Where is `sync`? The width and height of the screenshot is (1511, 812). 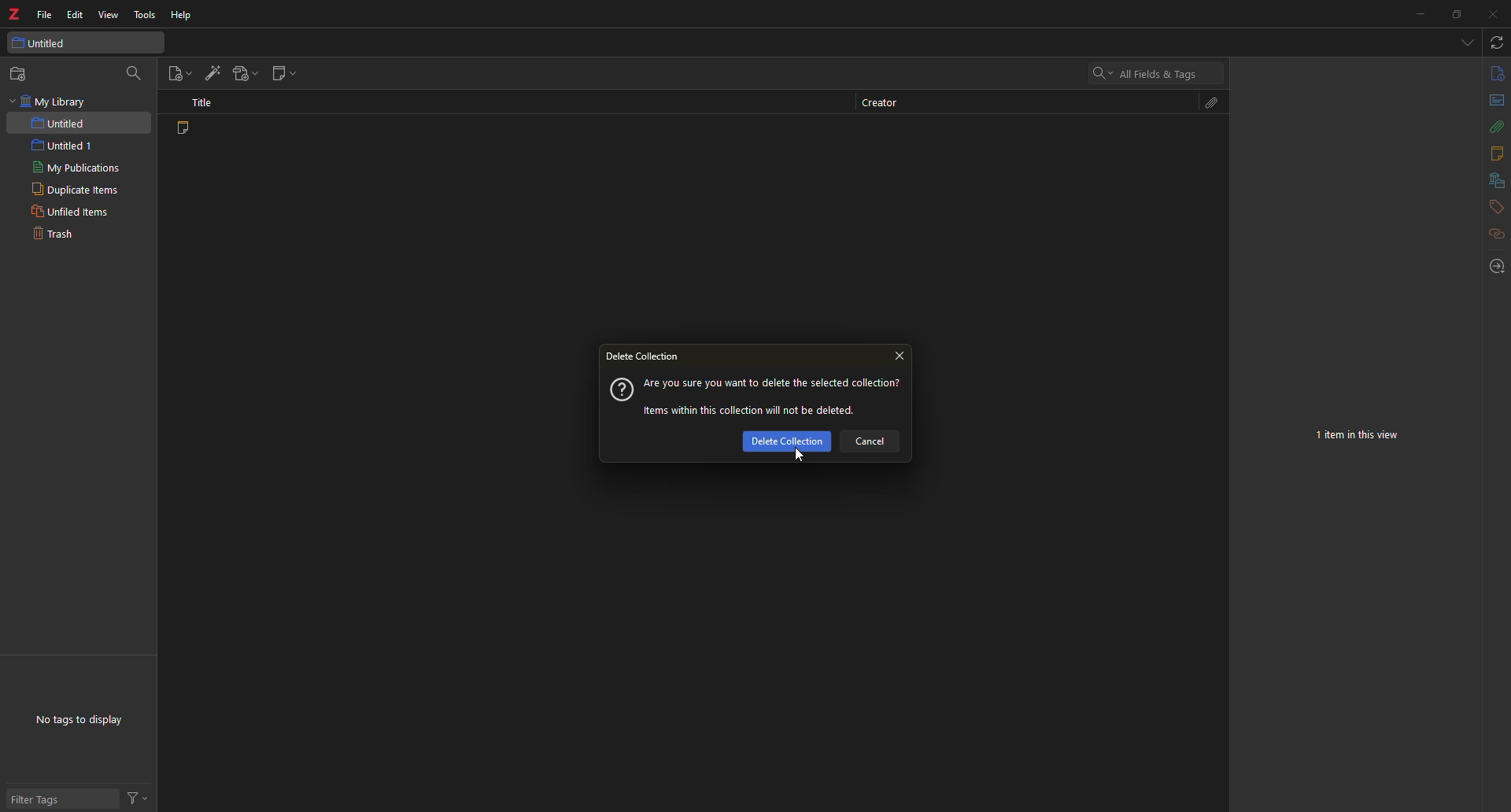
sync is located at coordinates (1495, 42).